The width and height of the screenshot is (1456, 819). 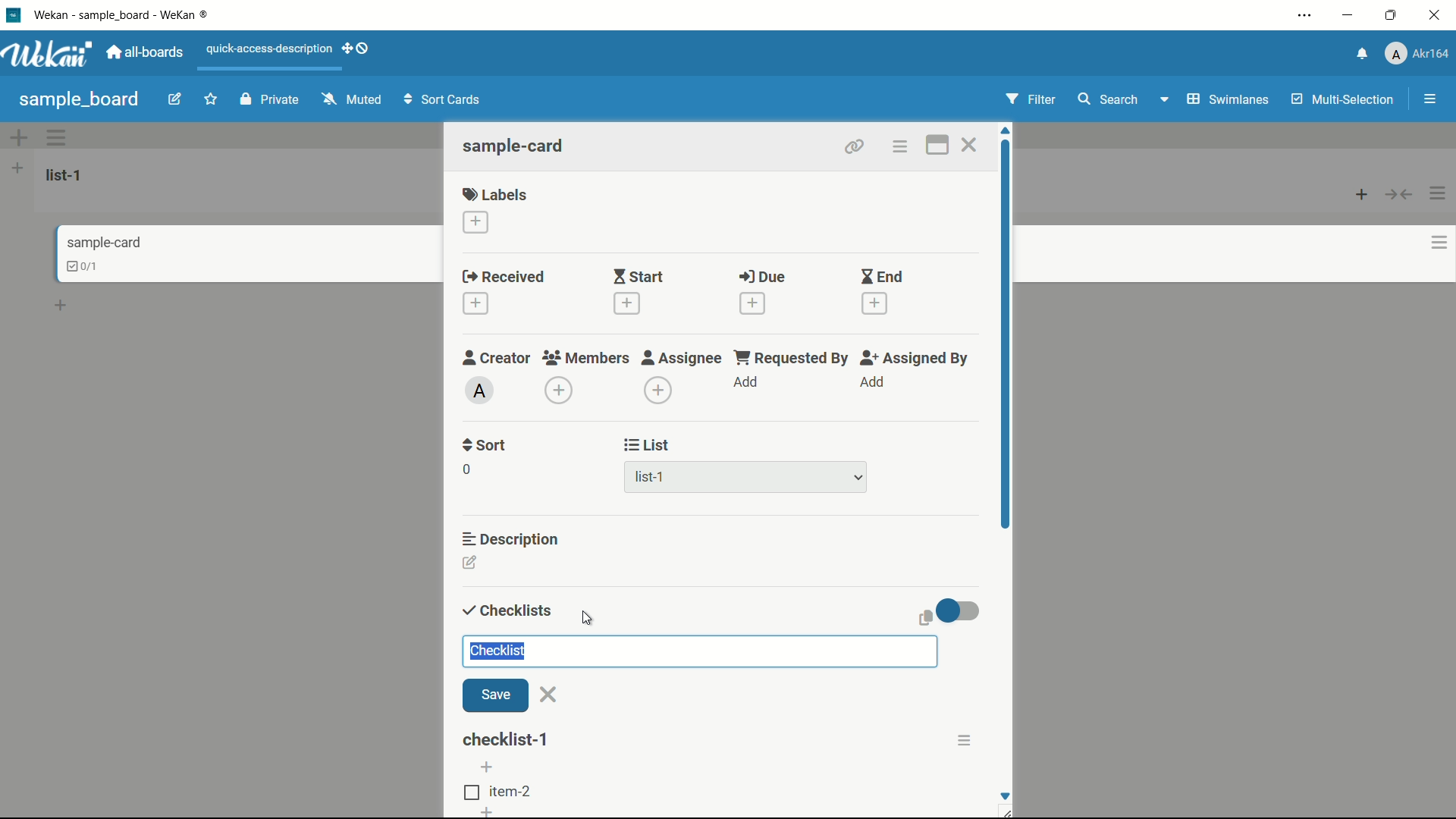 I want to click on muted, so click(x=350, y=100).